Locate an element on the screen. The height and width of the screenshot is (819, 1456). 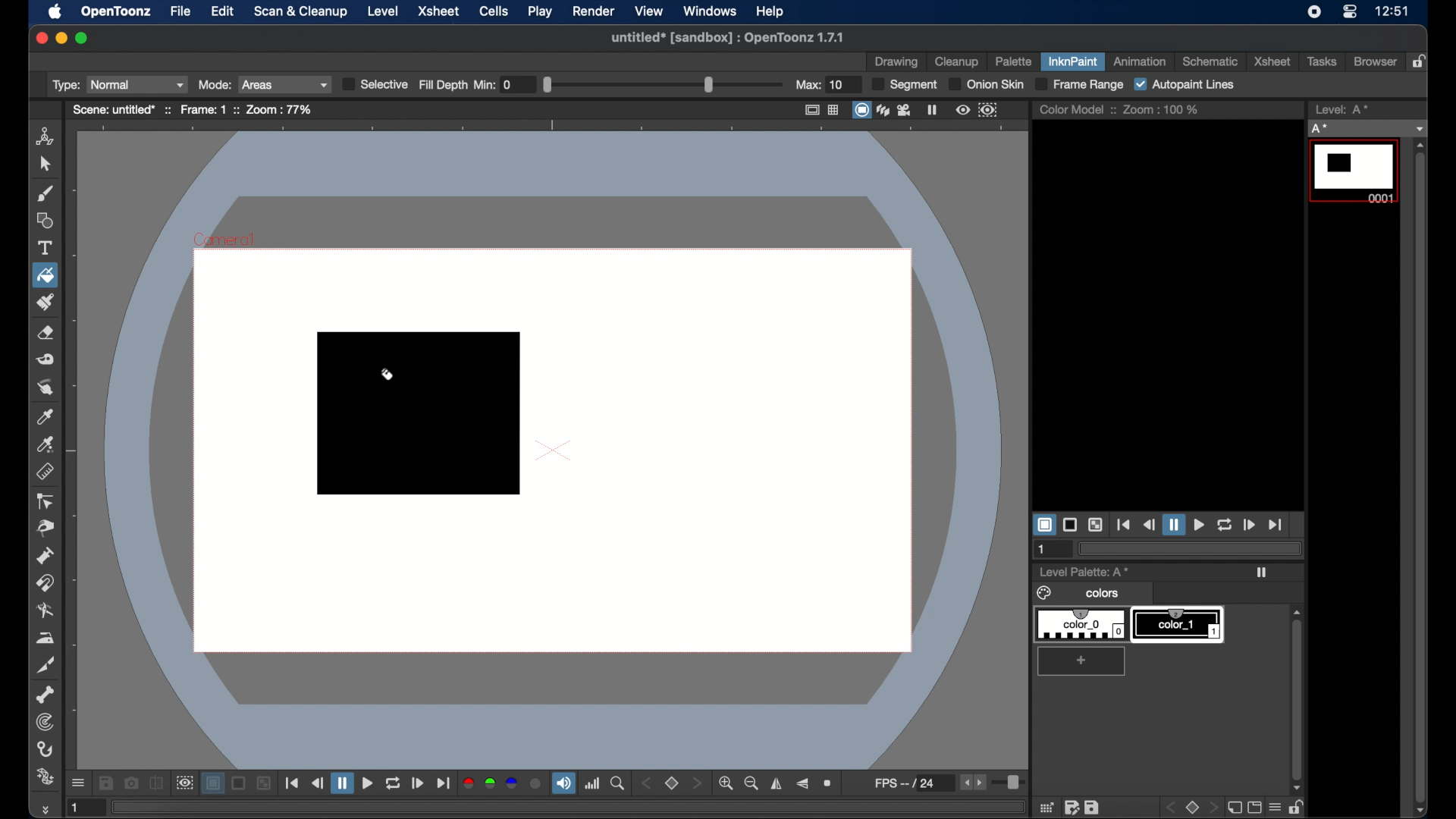
skeleton tool is located at coordinates (45, 695).